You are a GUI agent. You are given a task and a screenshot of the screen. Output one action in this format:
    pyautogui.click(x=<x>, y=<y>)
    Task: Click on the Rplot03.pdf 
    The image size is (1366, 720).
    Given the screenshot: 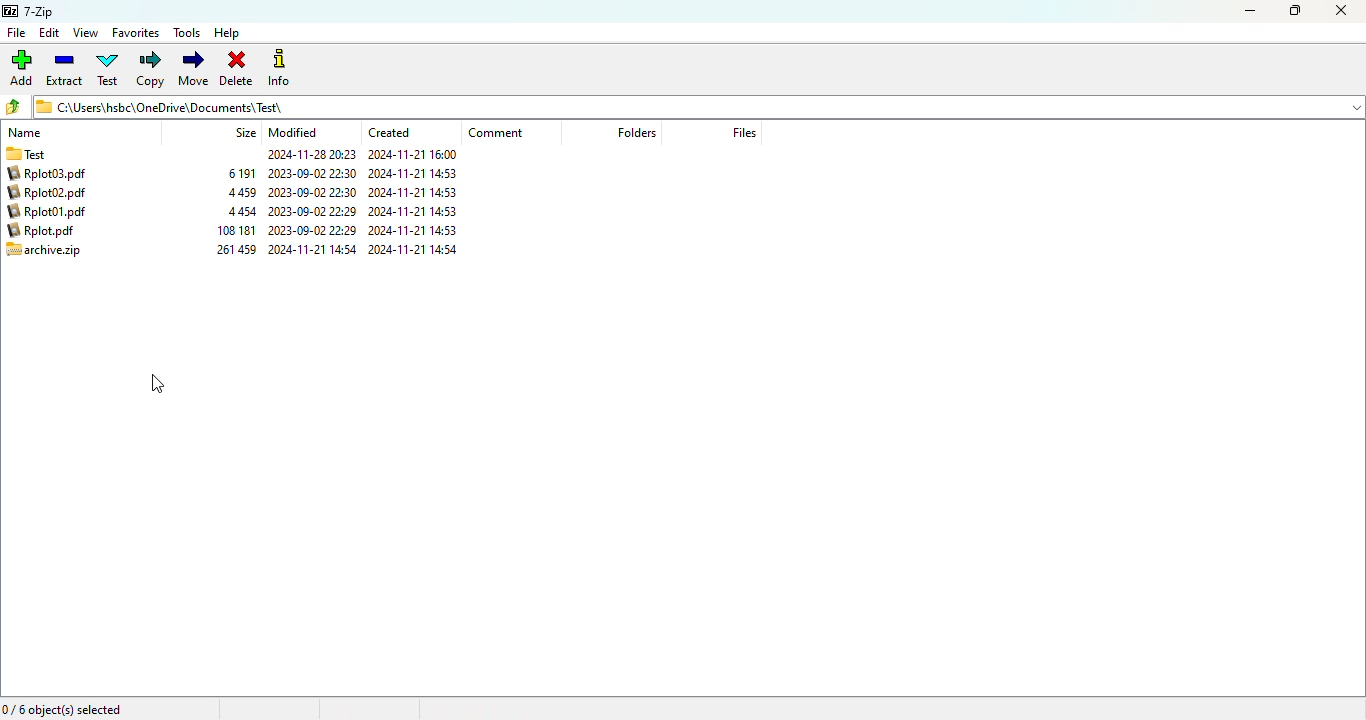 What is the action you would take?
    pyautogui.click(x=54, y=192)
    